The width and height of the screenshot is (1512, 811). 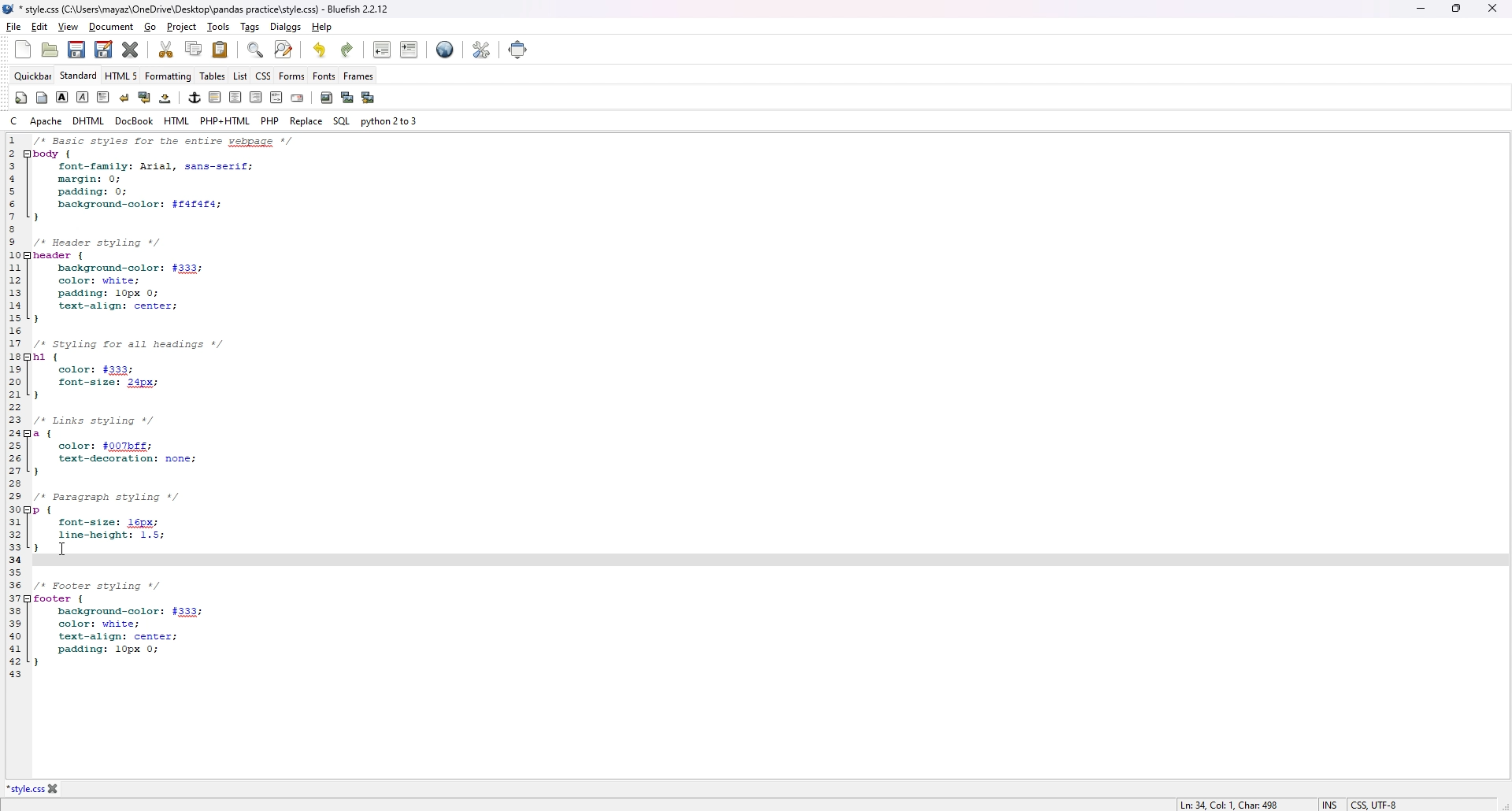 I want to click on replace, so click(x=306, y=122).